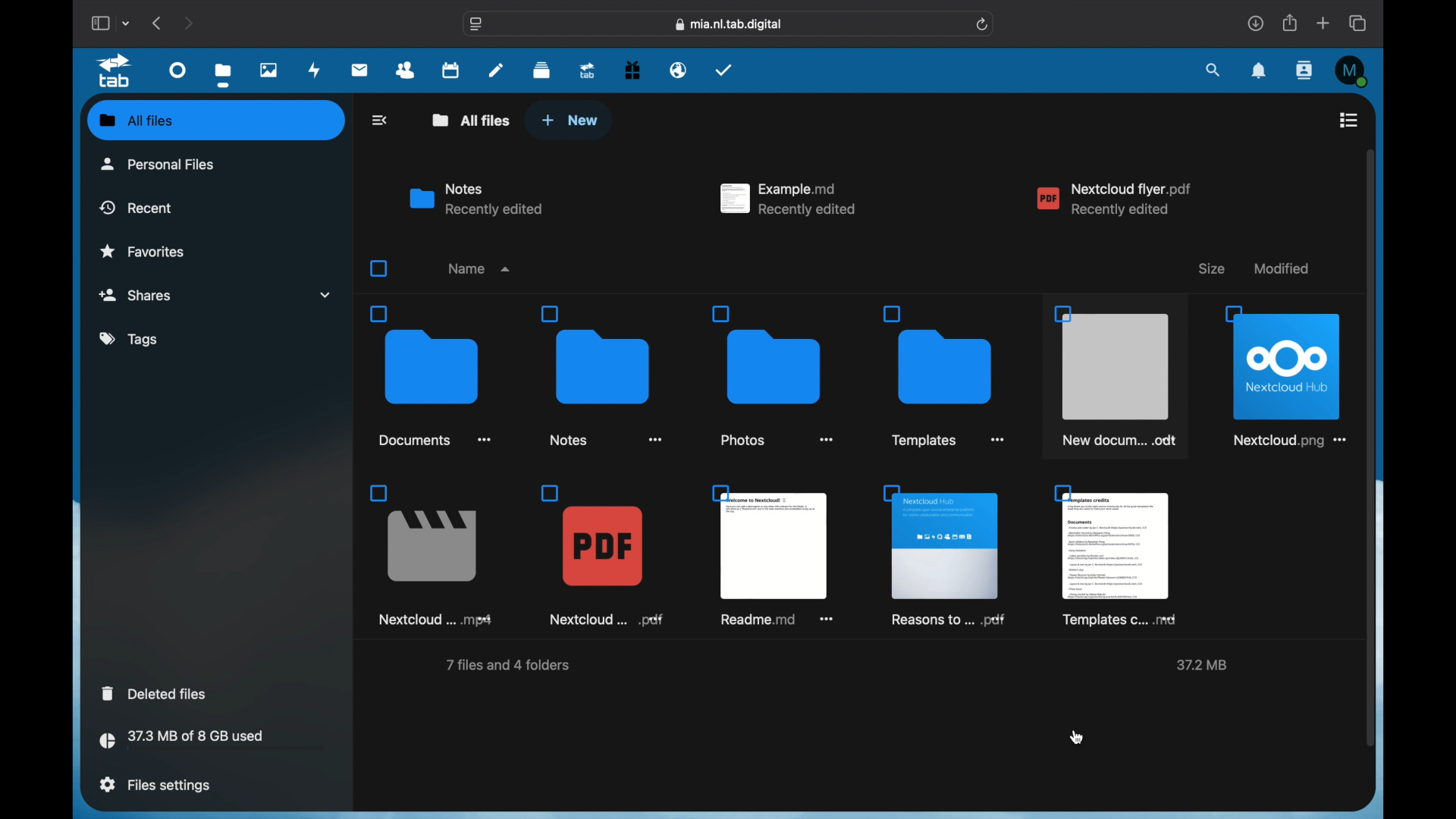  I want to click on files settings, so click(155, 785).